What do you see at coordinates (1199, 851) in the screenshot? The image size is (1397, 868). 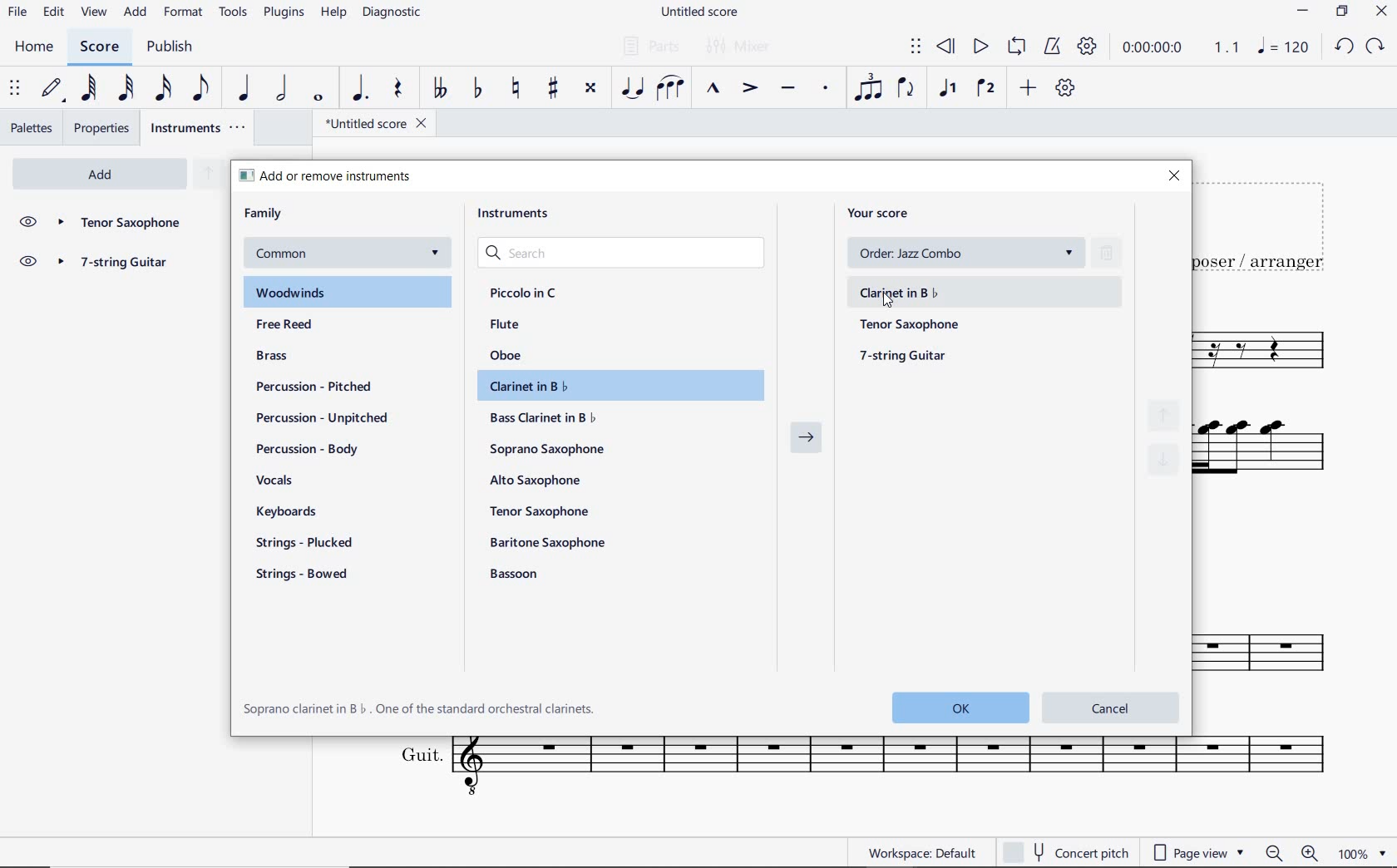 I see `PAGE VIEW` at bounding box center [1199, 851].